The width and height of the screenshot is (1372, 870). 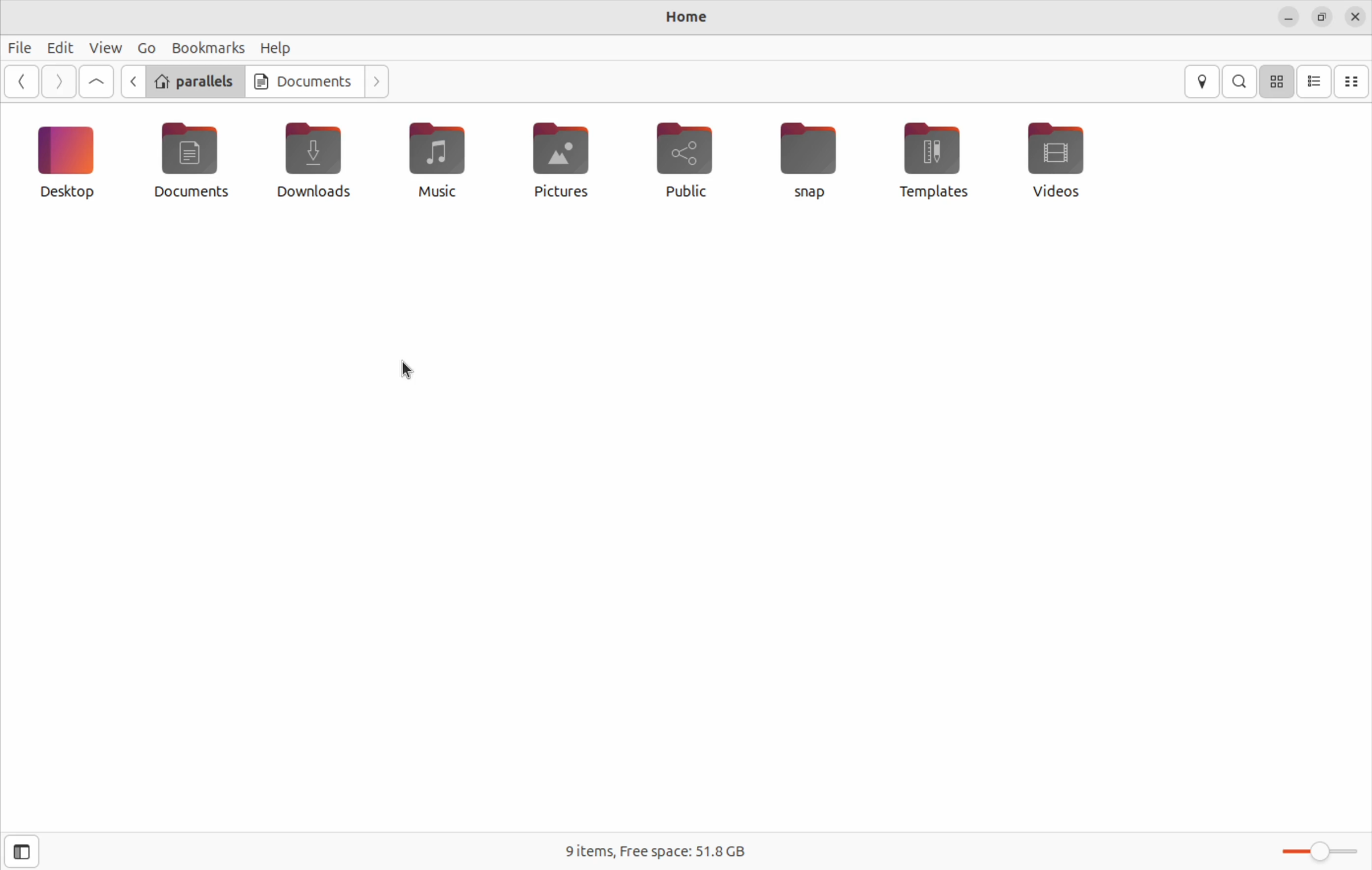 What do you see at coordinates (809, 161) in the screenshot?
I see `desktop` at bounding box center [809, 161].